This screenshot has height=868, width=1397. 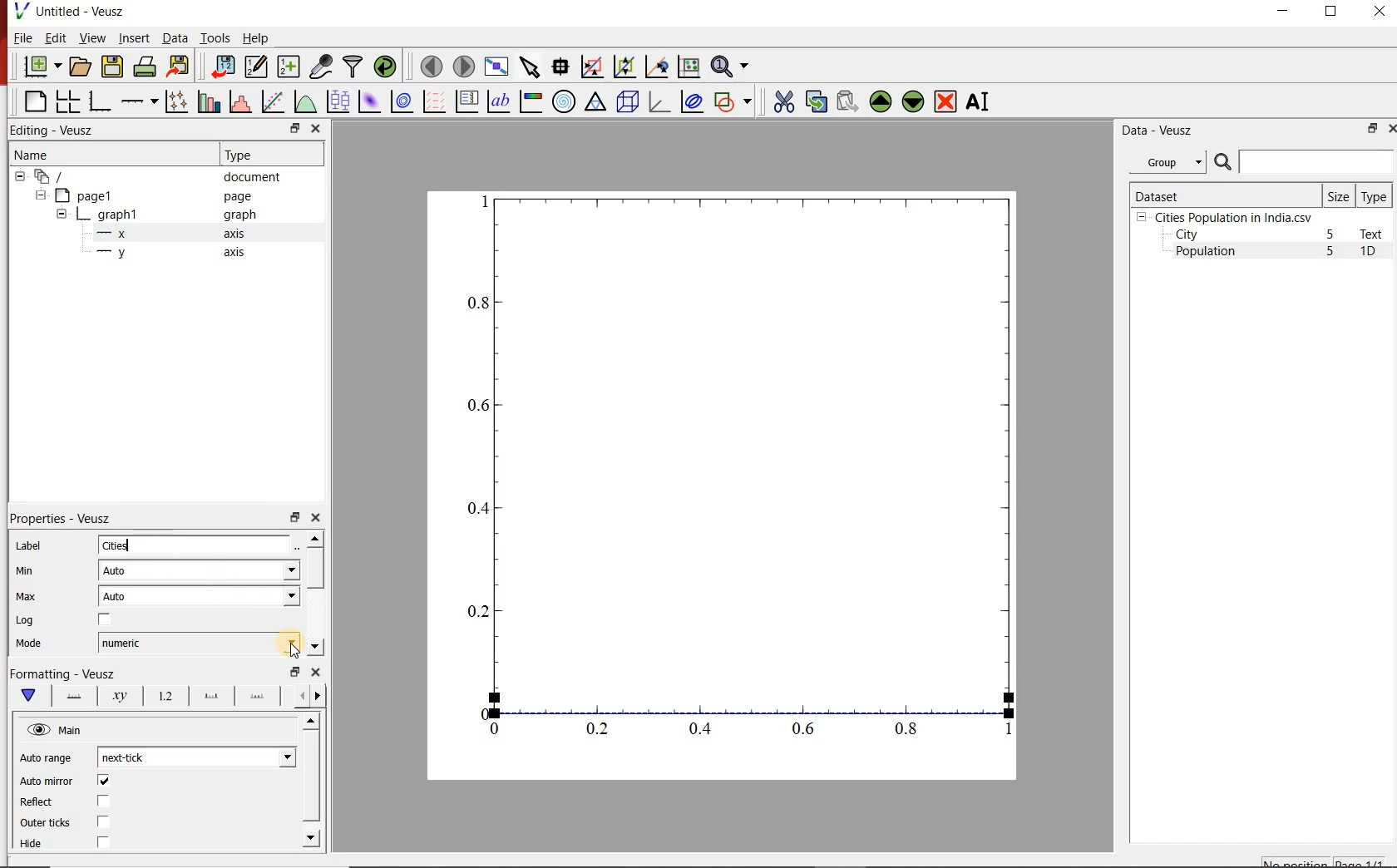 What do you see at coordinates (149, 195) in the screenshot?
I see `page1` at bounding box center [149, 195].